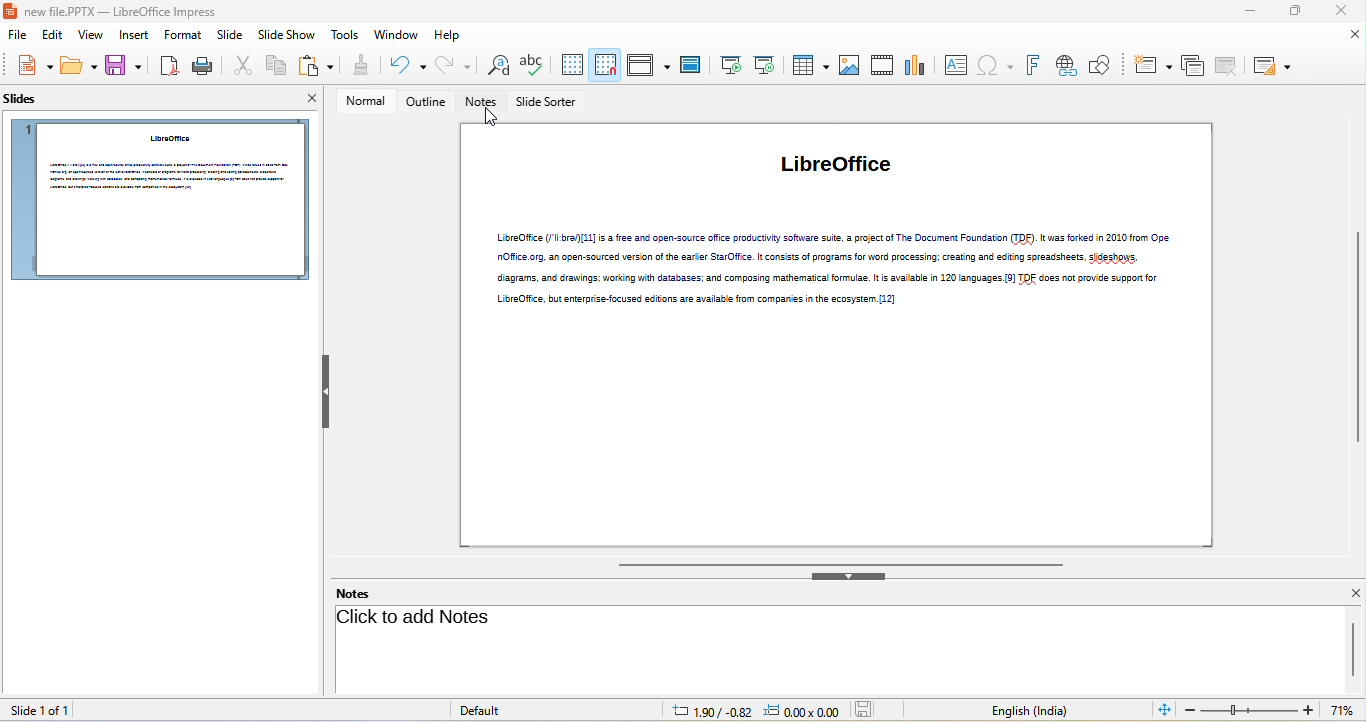  Describe the element at coordinates (487, 710) in the screenshot. I see `default` at that location.